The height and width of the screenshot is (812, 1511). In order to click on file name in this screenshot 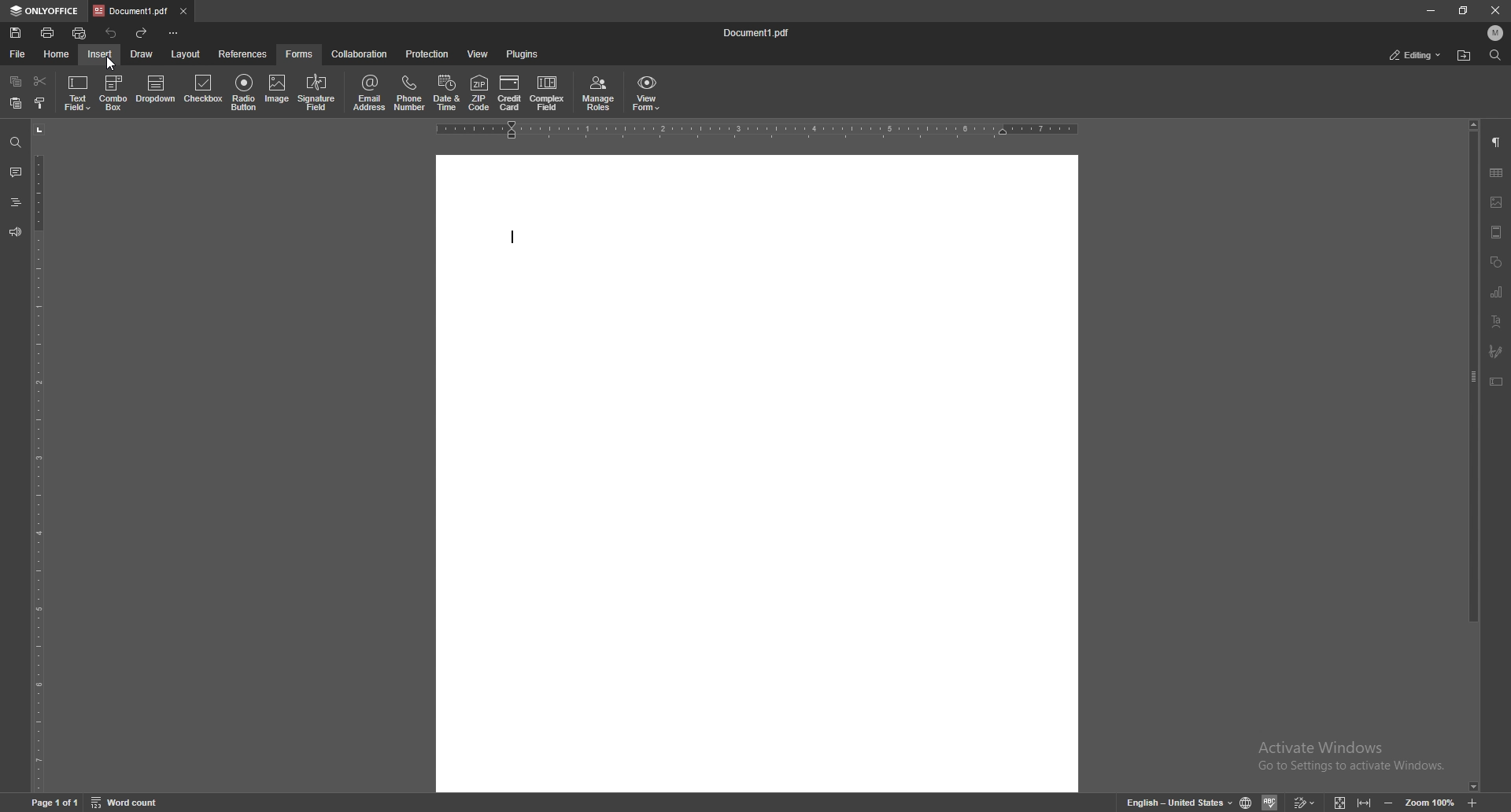, I will do `click(756, 32)`.